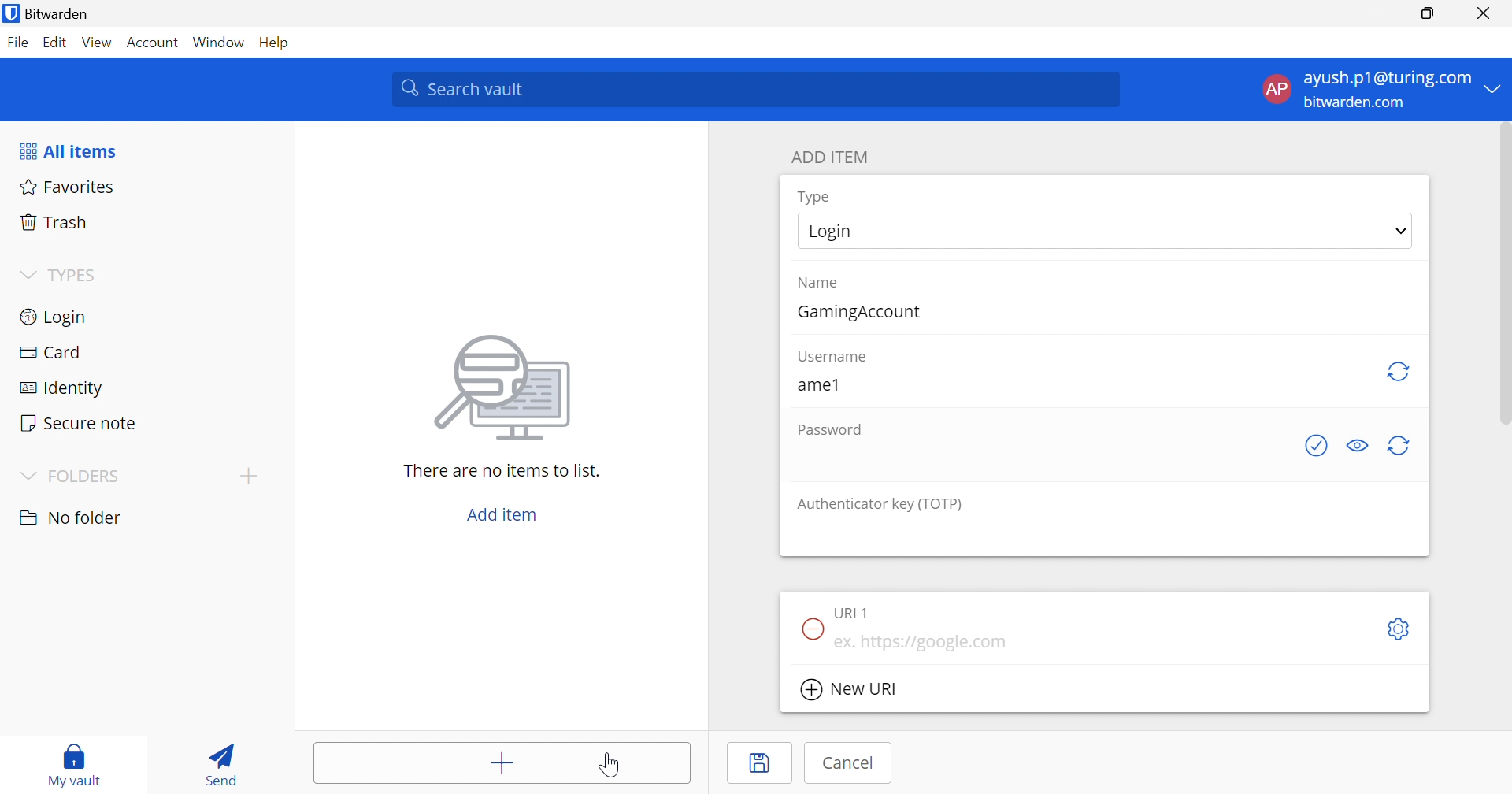 This screenshot has height=794, width=1512. I want to click on Cursor, so click(609, 766).